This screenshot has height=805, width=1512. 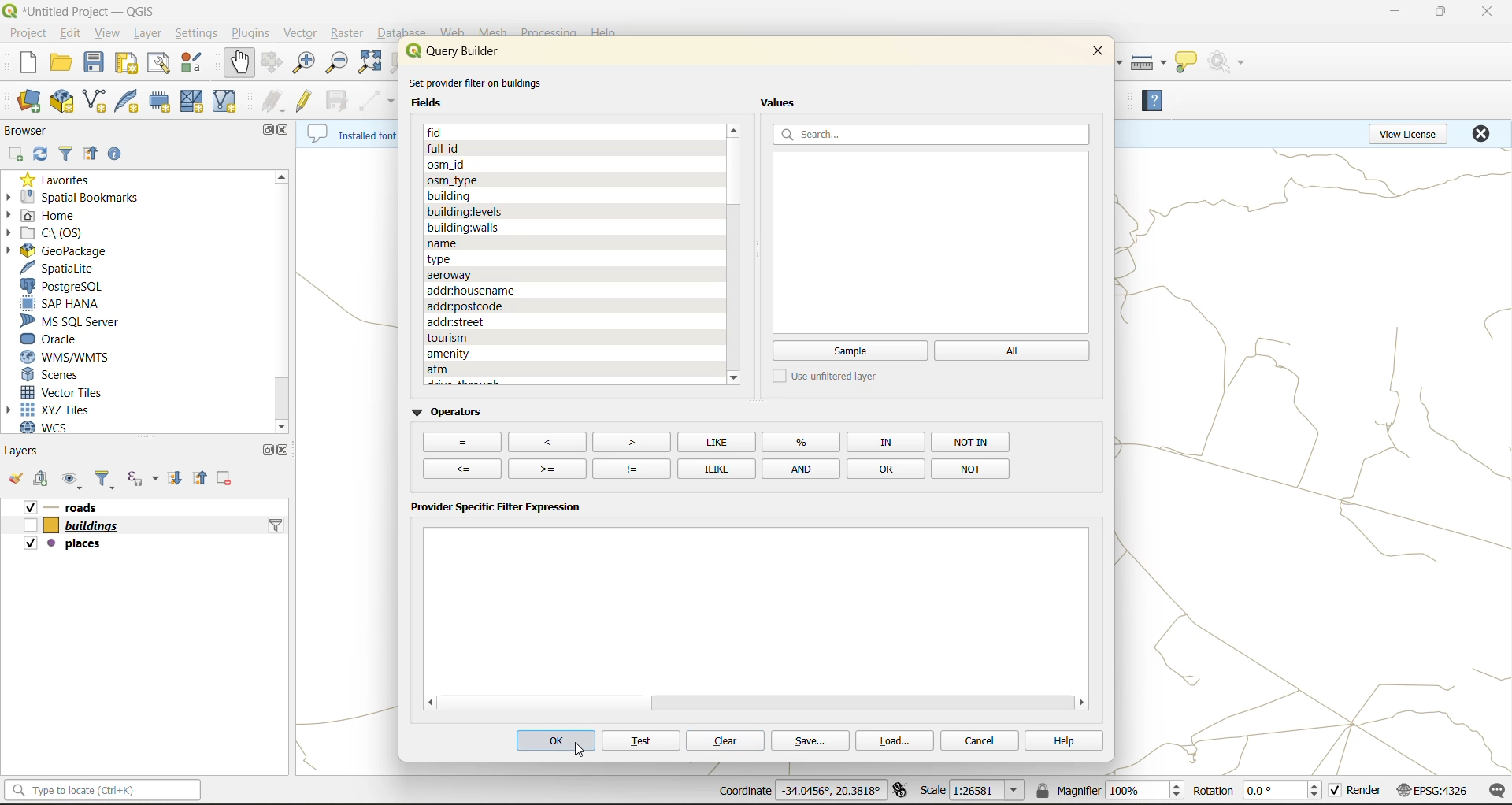 I want to click on plugins, so click(x=250, y=33).